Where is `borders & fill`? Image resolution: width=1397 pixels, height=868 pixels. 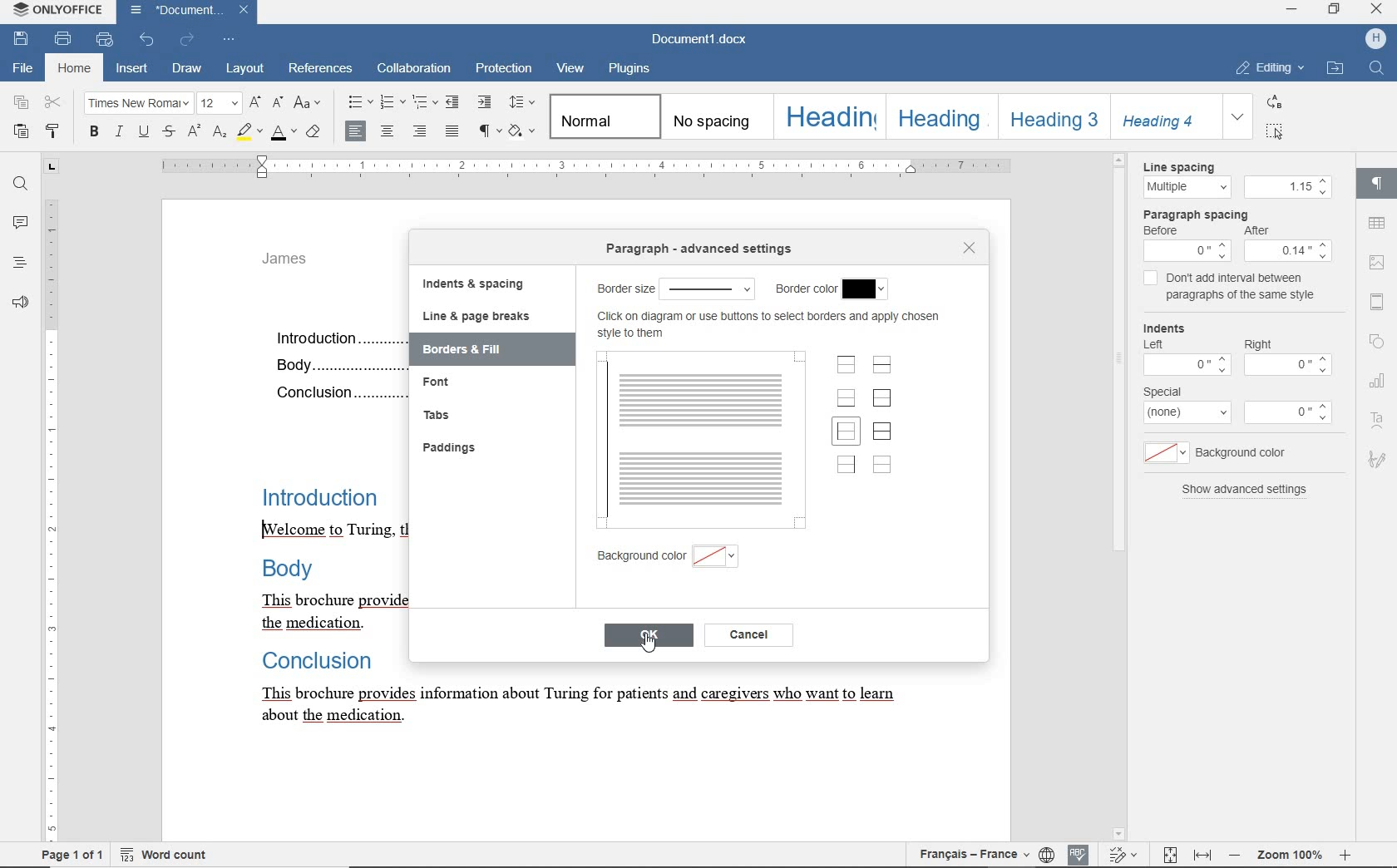 borders & fill is located at coordinates (483, 349).